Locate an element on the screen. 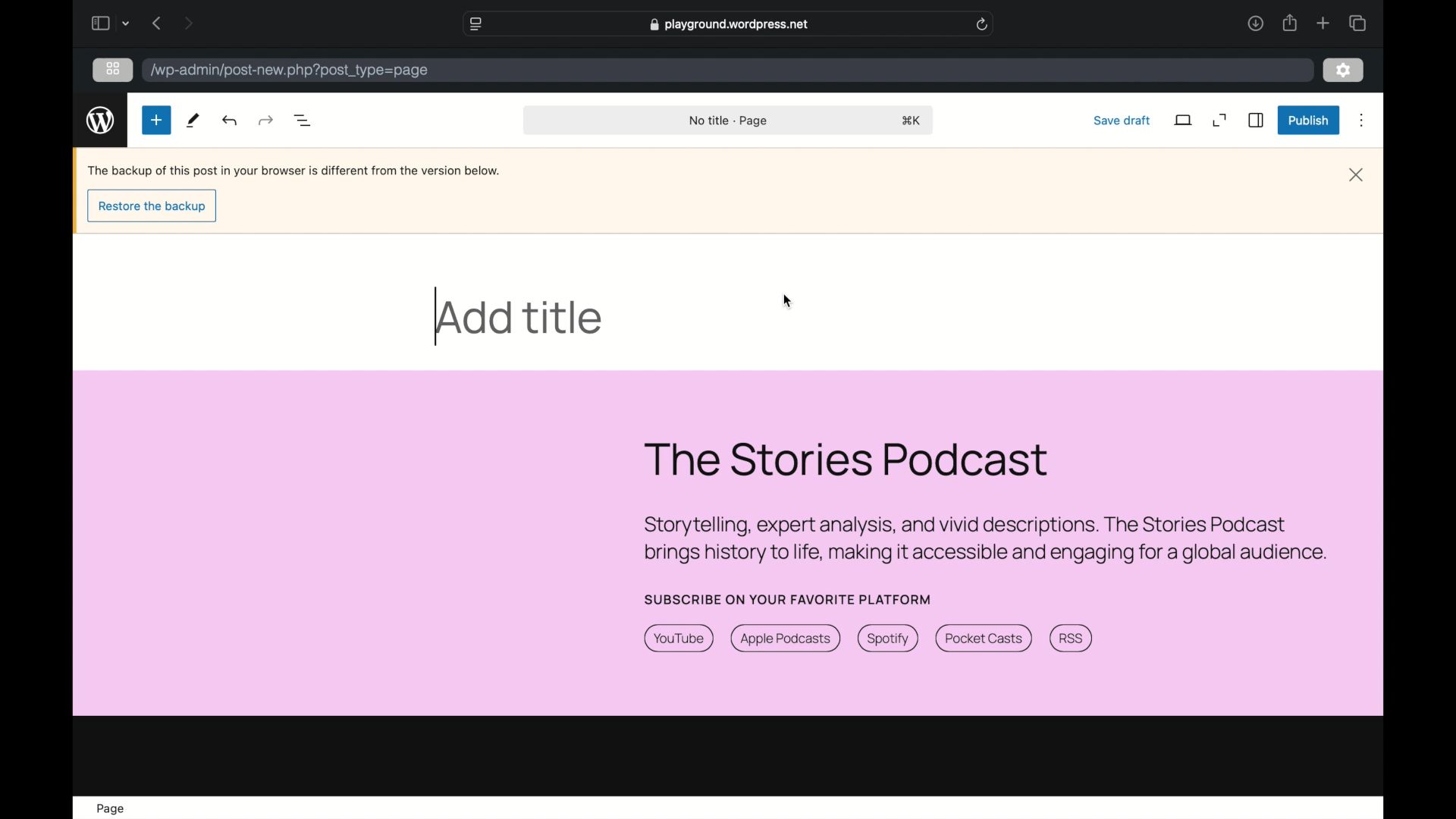  rss is located at coordinates (1073, 639).